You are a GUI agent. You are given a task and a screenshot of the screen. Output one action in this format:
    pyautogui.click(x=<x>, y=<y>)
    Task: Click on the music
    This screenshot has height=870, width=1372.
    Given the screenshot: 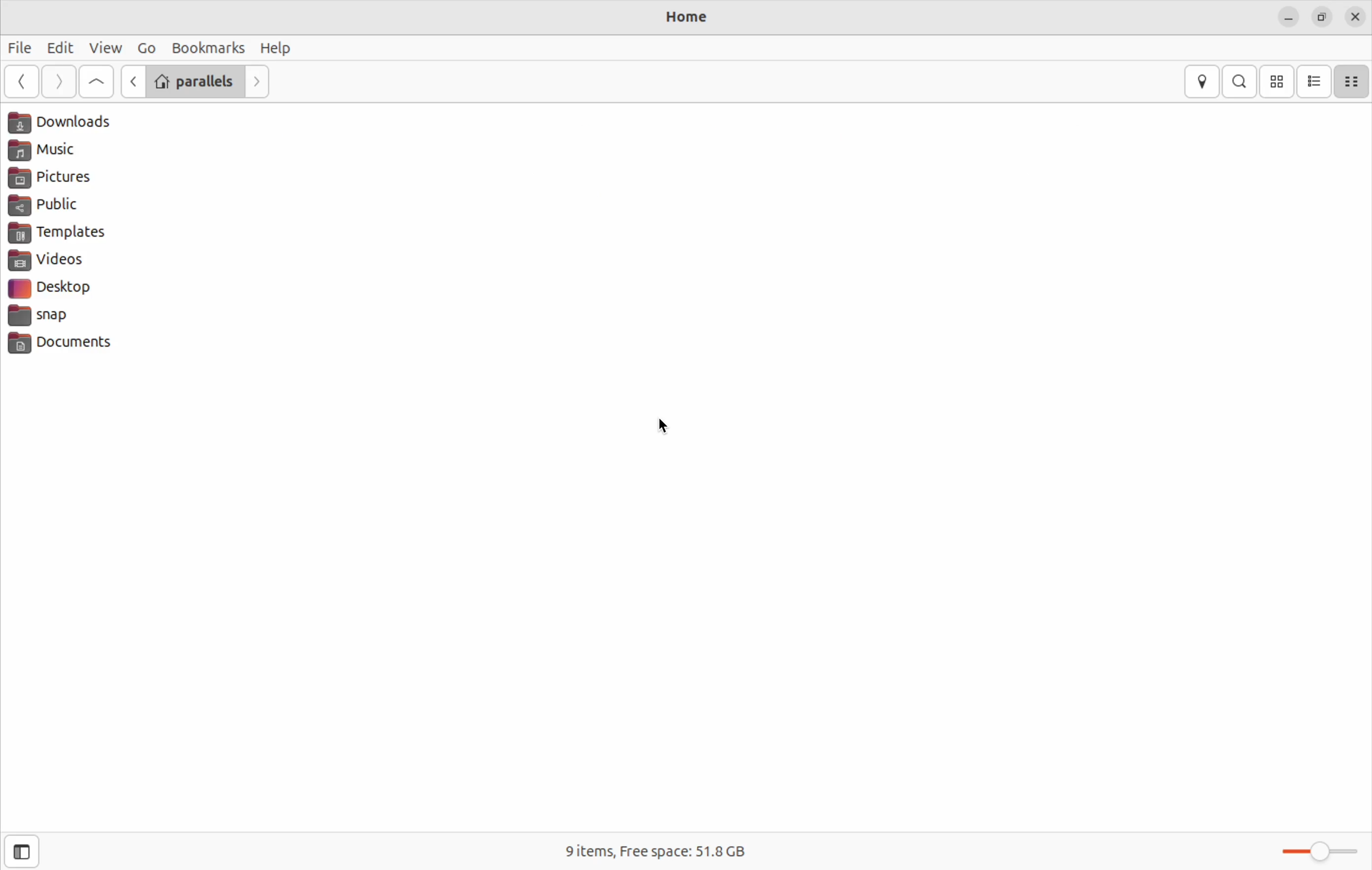 What is the action you would take?
    pyautogui.click(x=68, y=153)
    